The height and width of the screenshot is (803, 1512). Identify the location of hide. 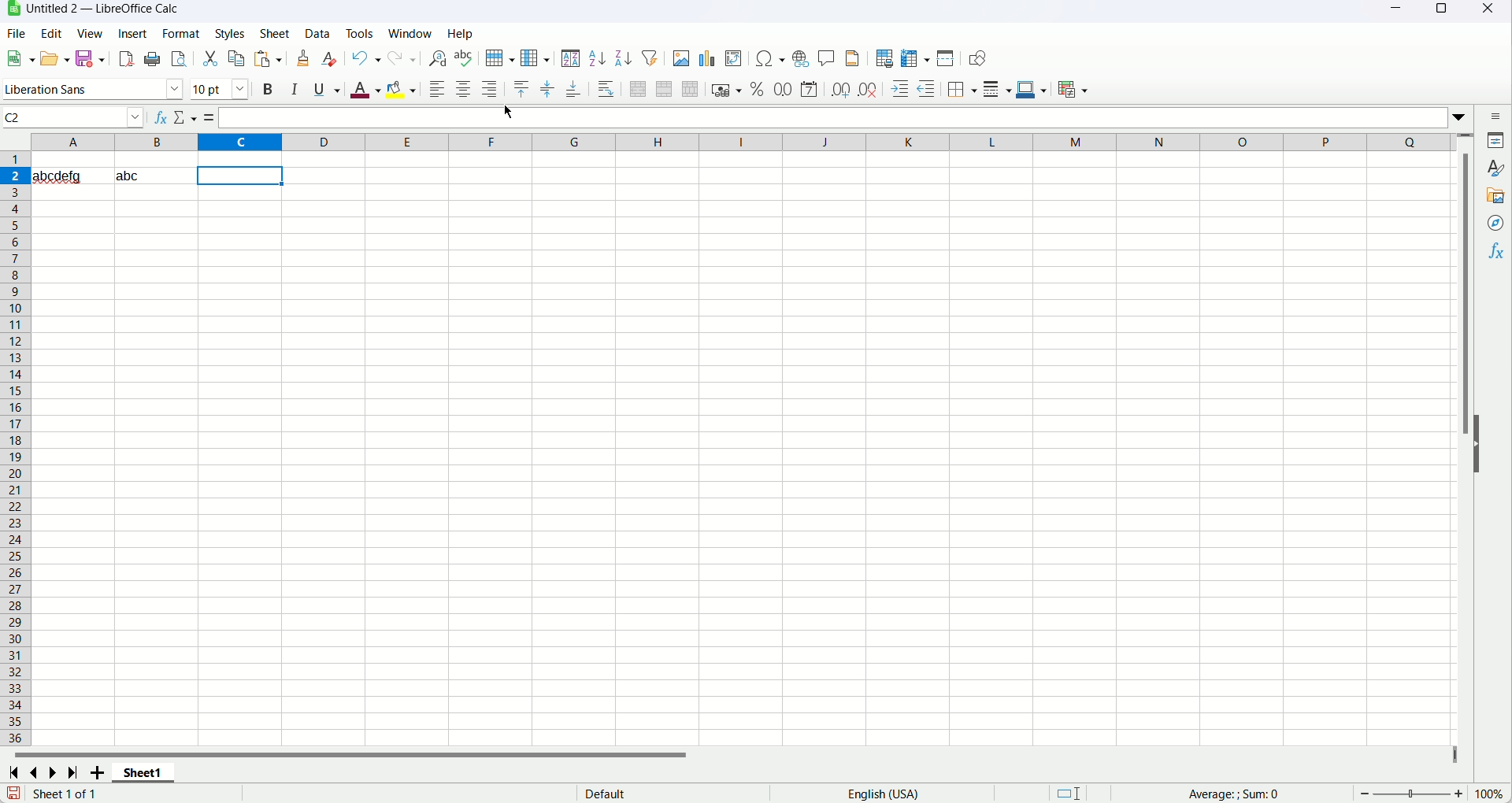
(1477, 444).